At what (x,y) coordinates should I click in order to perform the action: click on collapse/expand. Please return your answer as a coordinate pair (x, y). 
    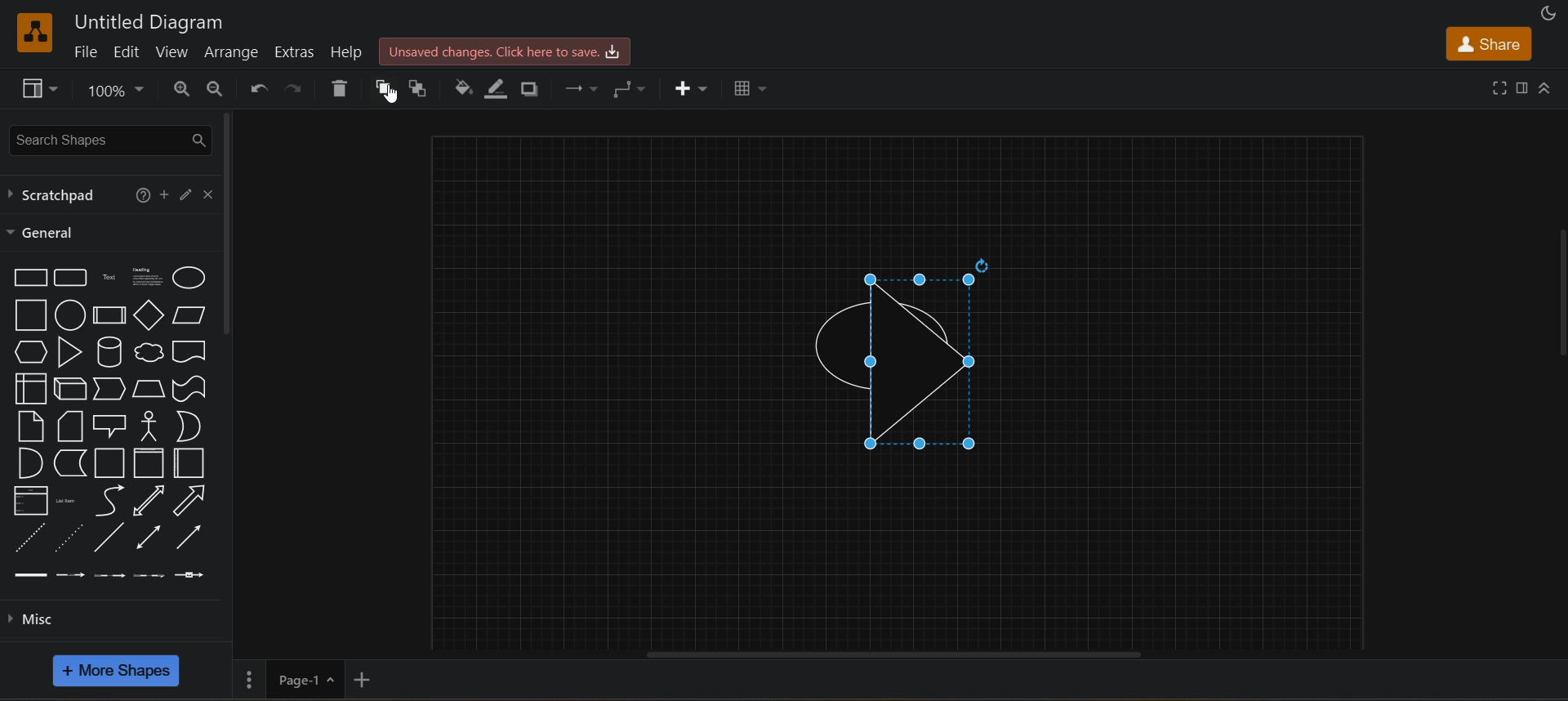
    Looking at the image, I should click on (1546, 85).